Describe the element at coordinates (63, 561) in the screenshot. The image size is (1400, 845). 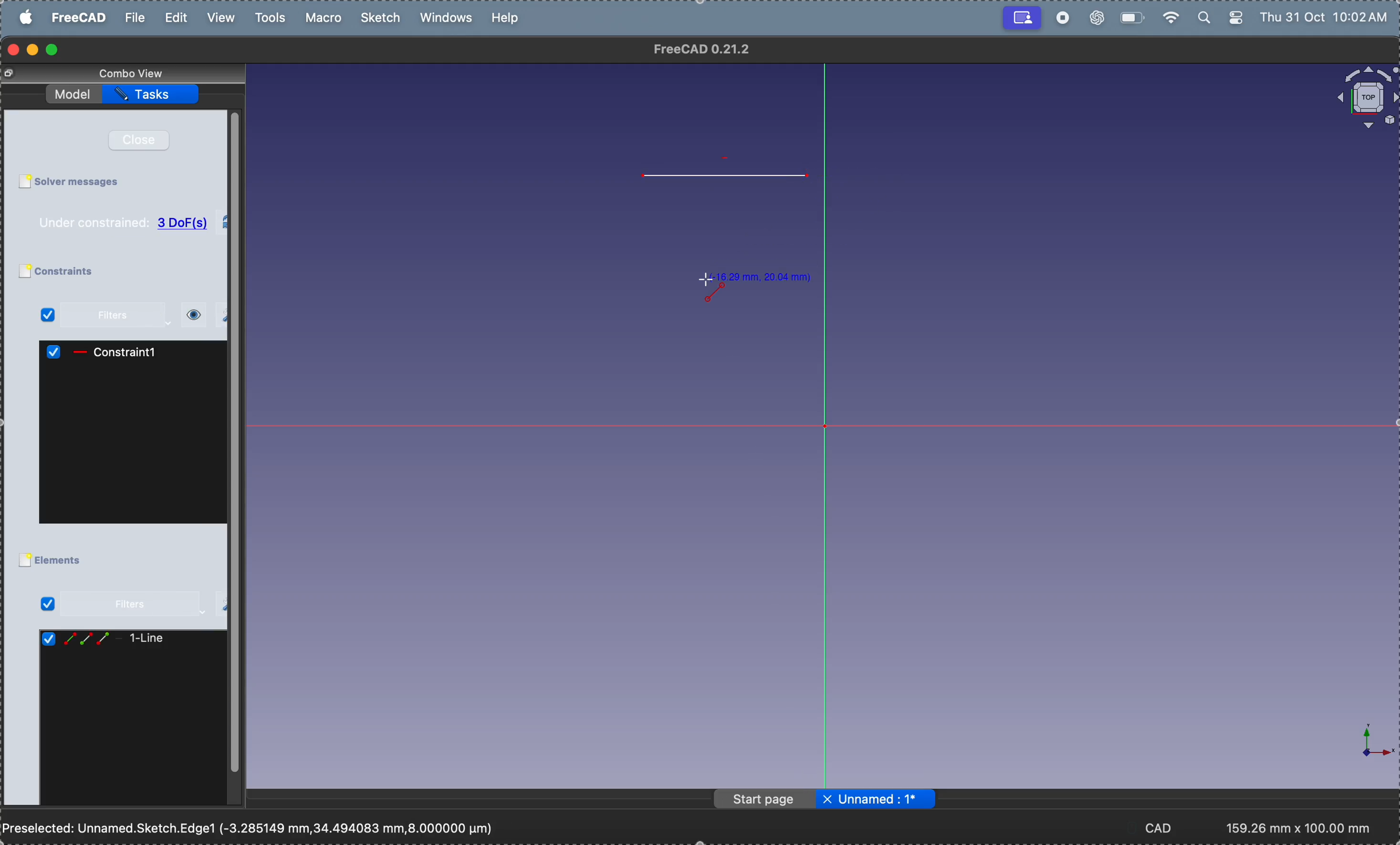
I see `elements` at that location.